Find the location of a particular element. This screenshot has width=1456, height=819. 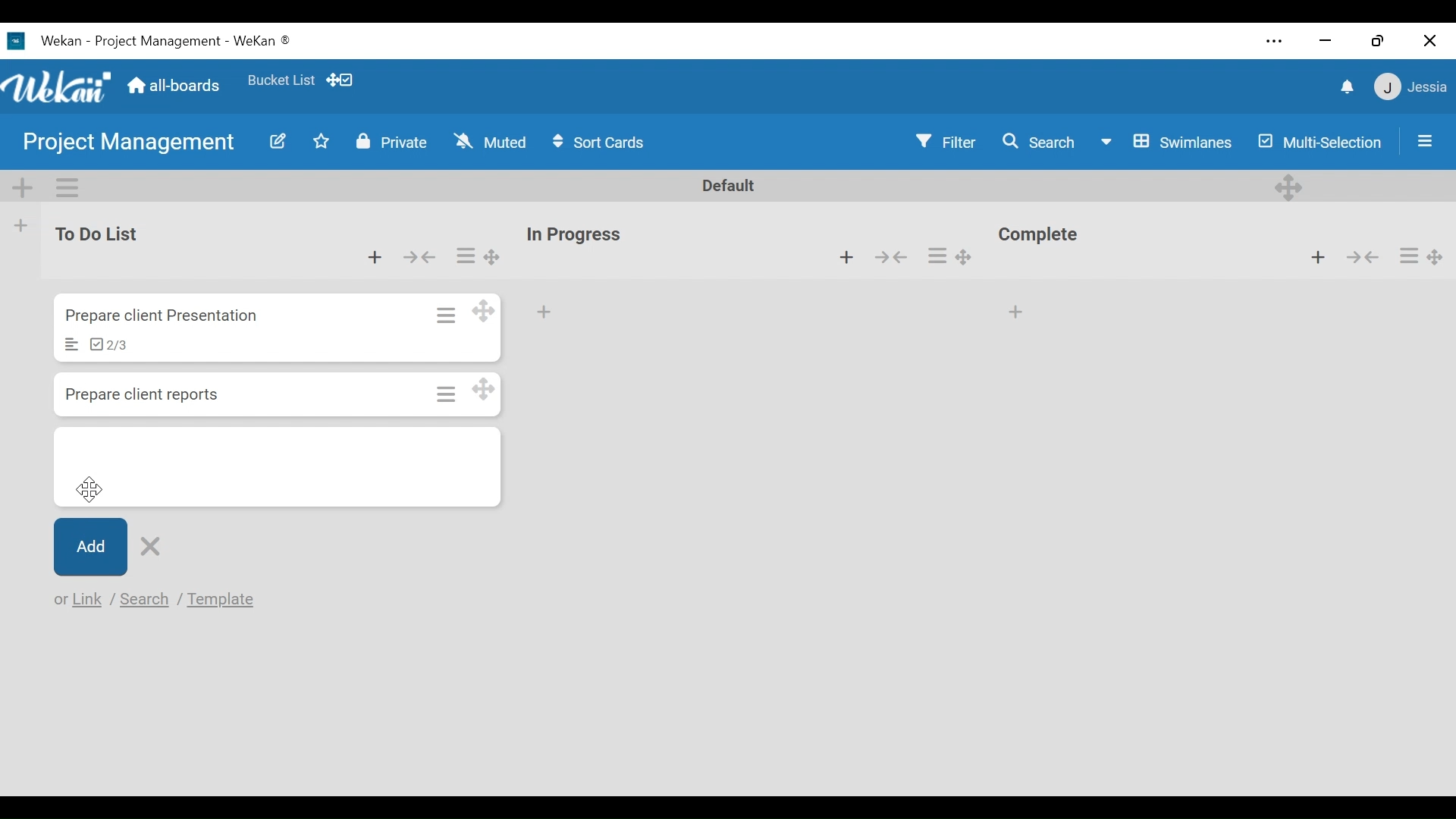

Cancel is located at coordinates (148, 548).